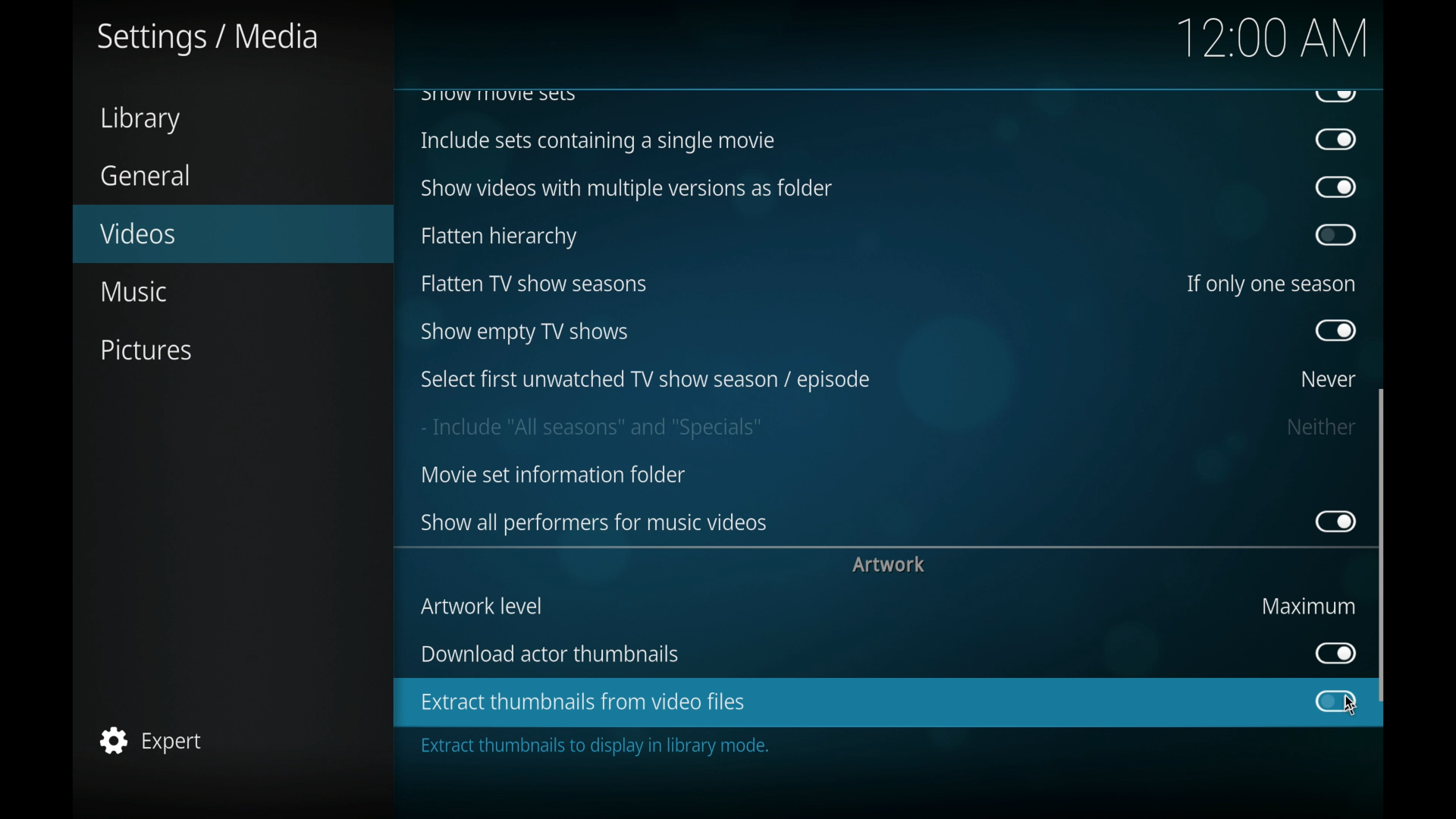  What do you see at coordinates (1336, 331) in the screenshot?
I see `toggle button` at bounding box center [1336, 331].